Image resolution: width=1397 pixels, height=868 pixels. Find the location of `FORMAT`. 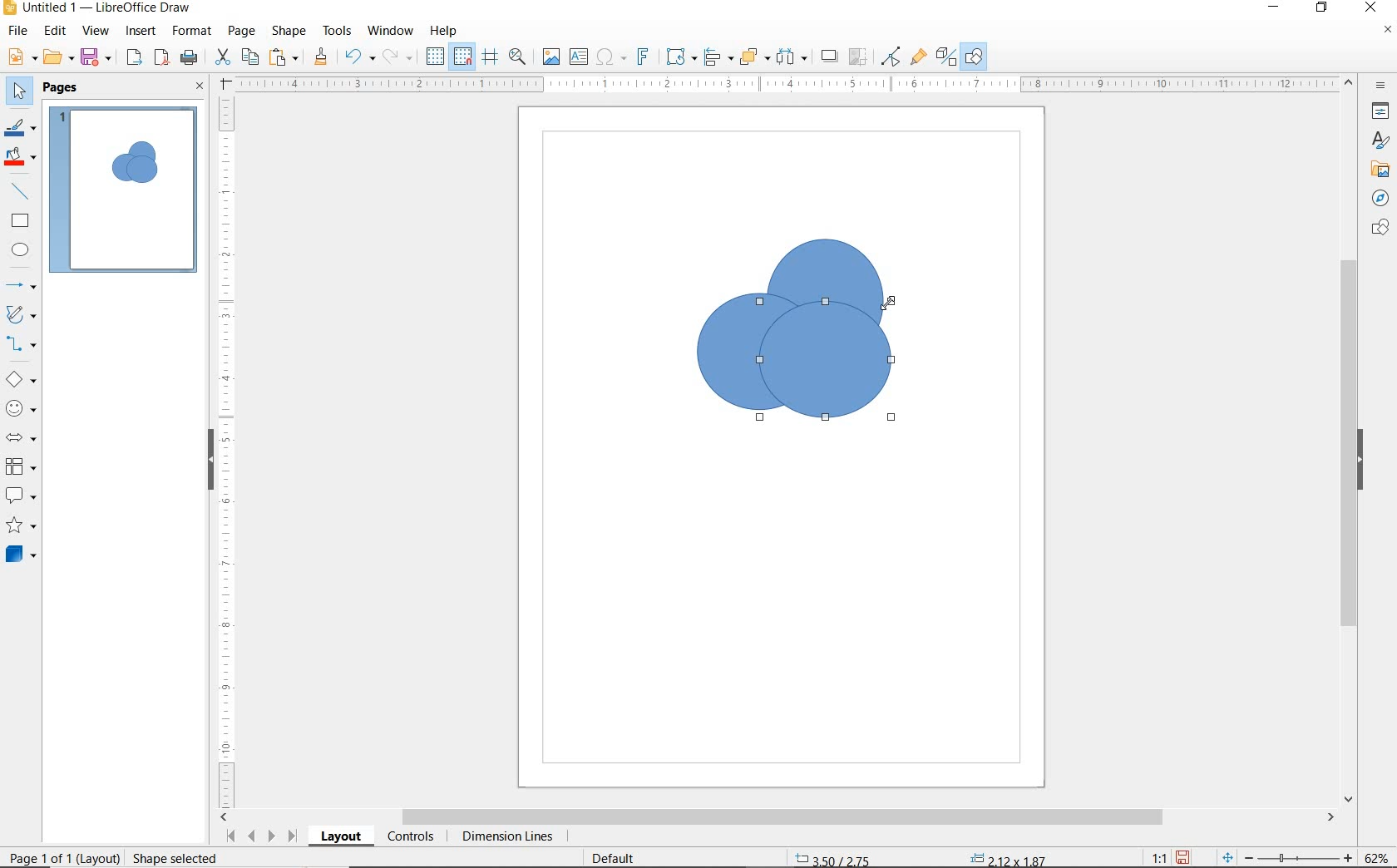

FORMAT is located at coordinates (193, 31).